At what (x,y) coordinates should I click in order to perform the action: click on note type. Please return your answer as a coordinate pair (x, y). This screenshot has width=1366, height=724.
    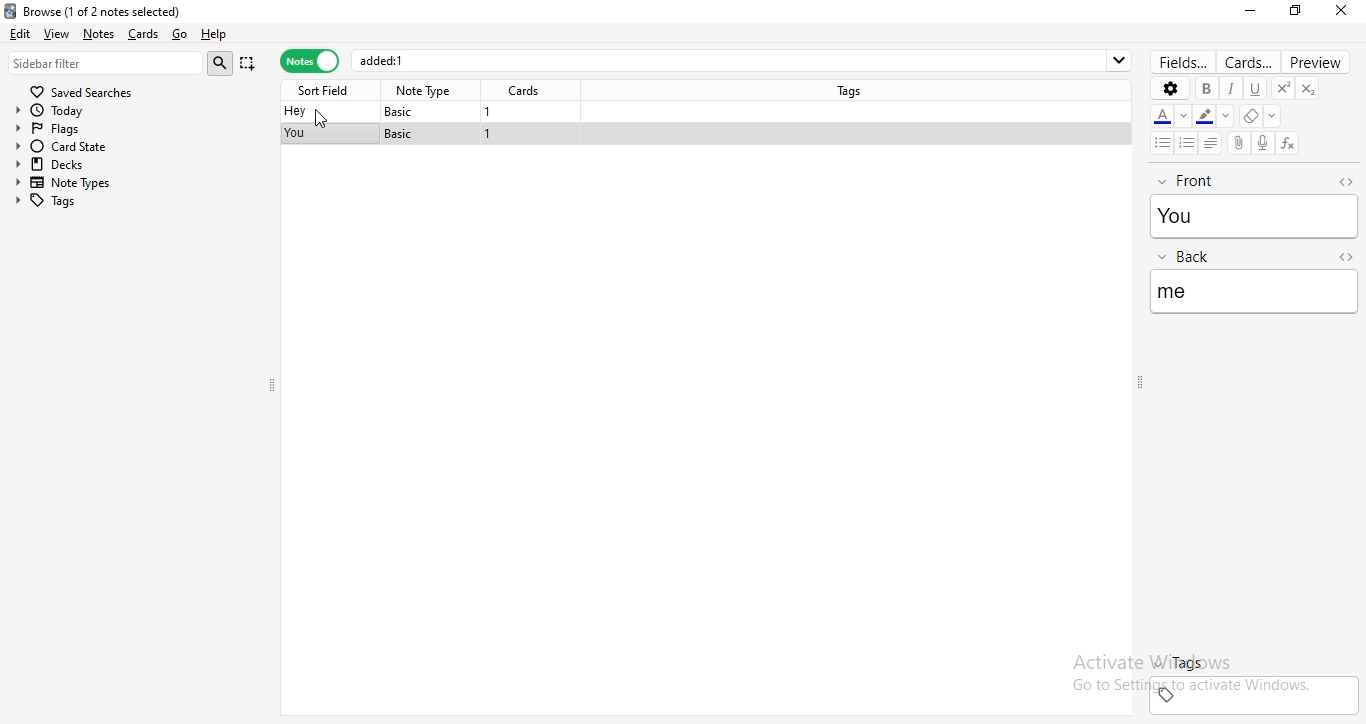
    Looking at the image, I should click on (426, 91).